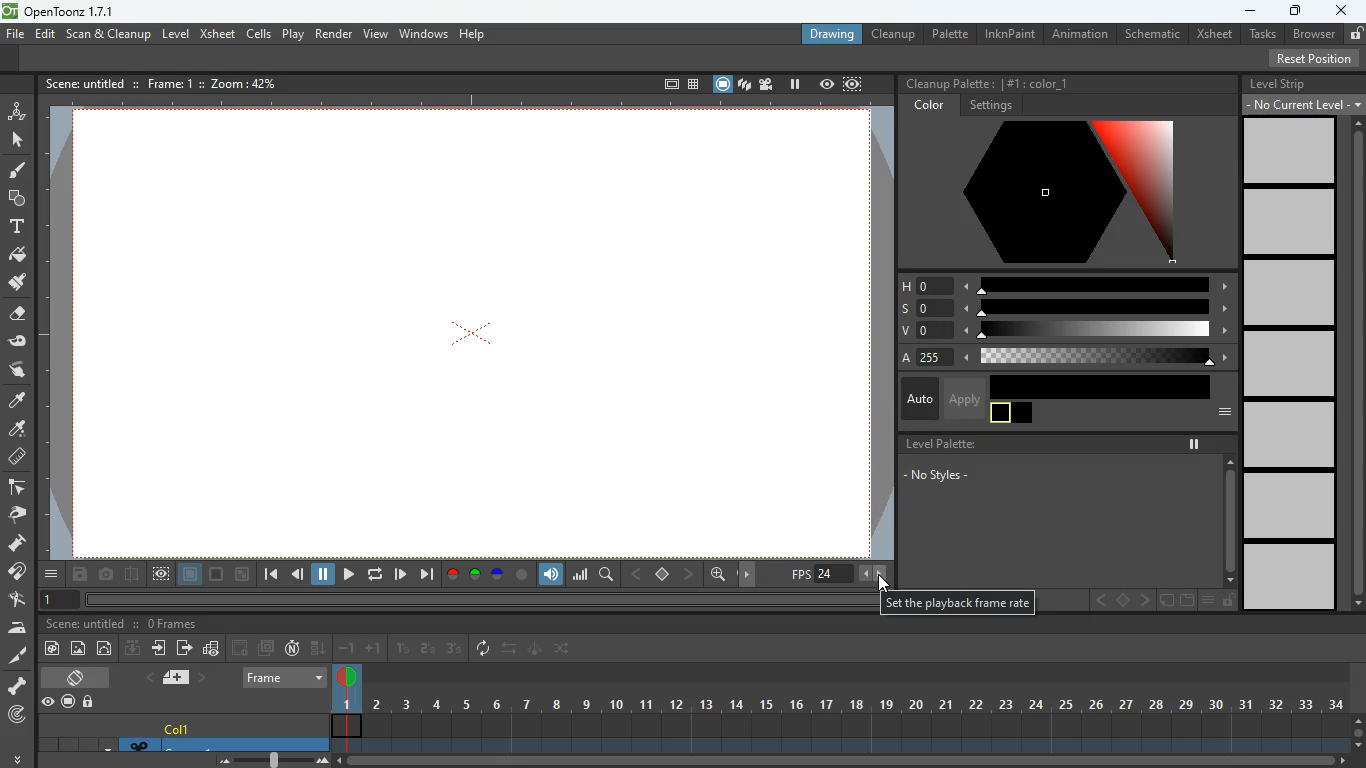  I want to click on opentoonz, so click(67, 12).